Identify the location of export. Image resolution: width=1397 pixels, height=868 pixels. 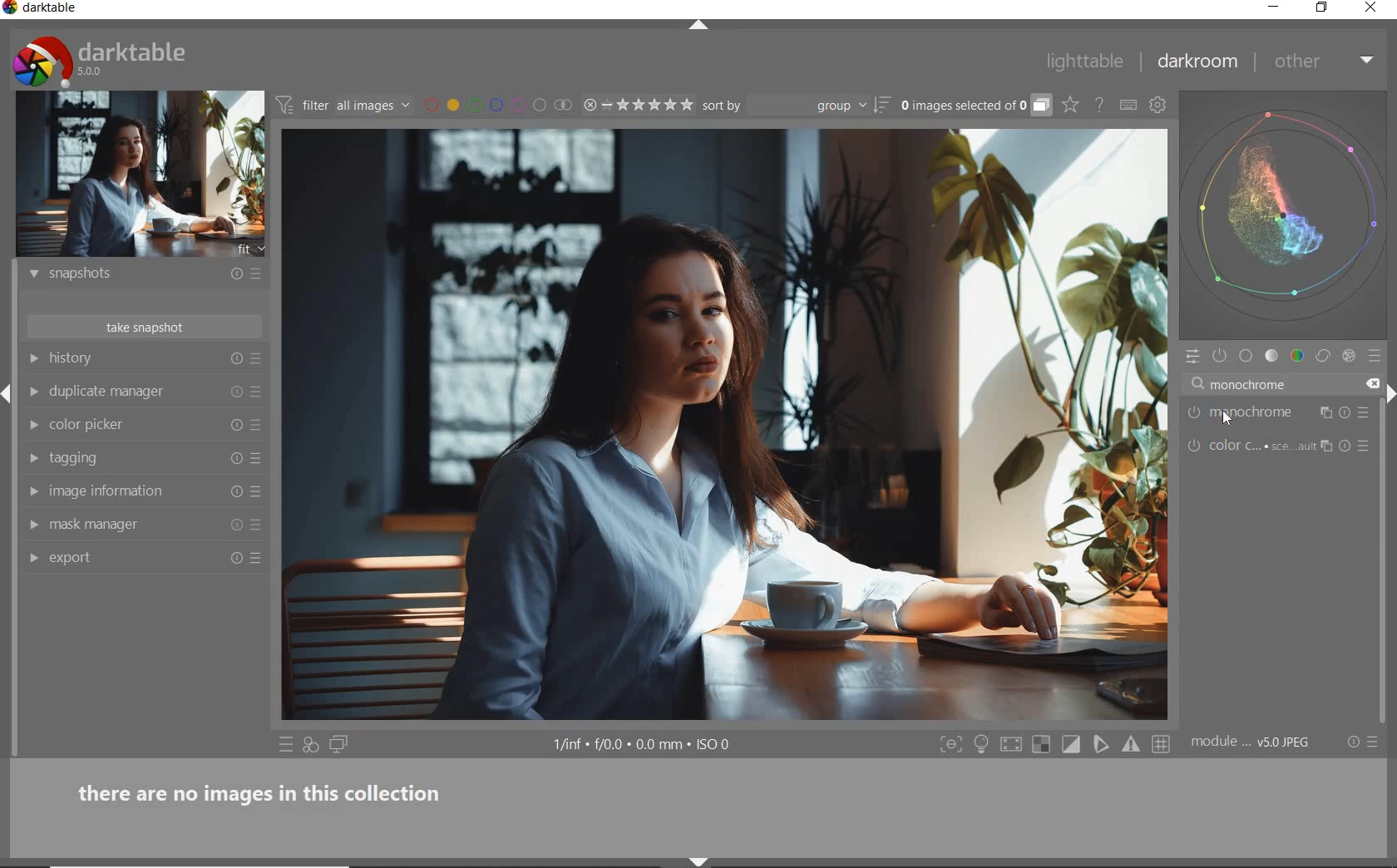
(133, 556).